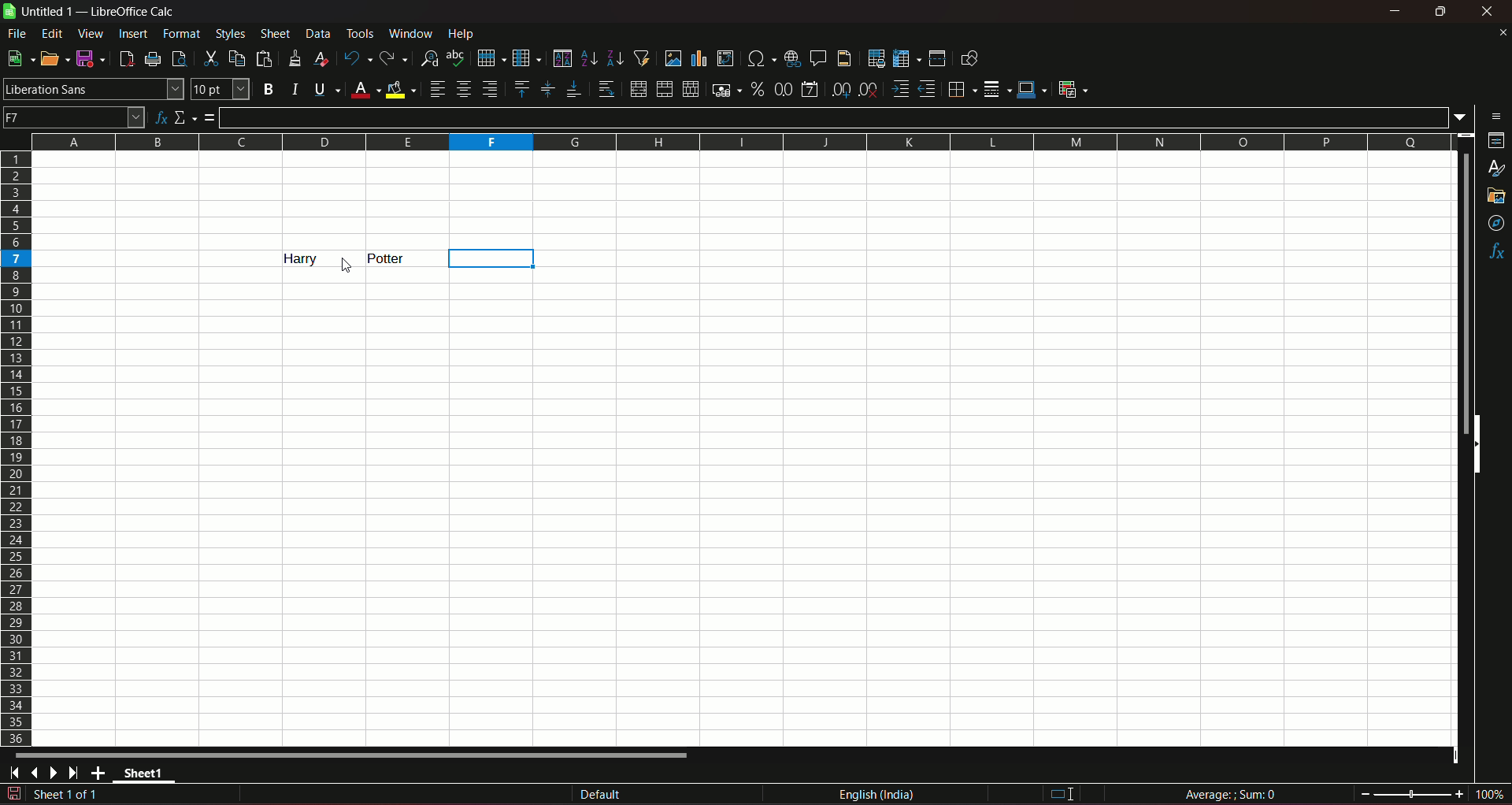  I want to click on side scrollbars, so click(1477, 444).